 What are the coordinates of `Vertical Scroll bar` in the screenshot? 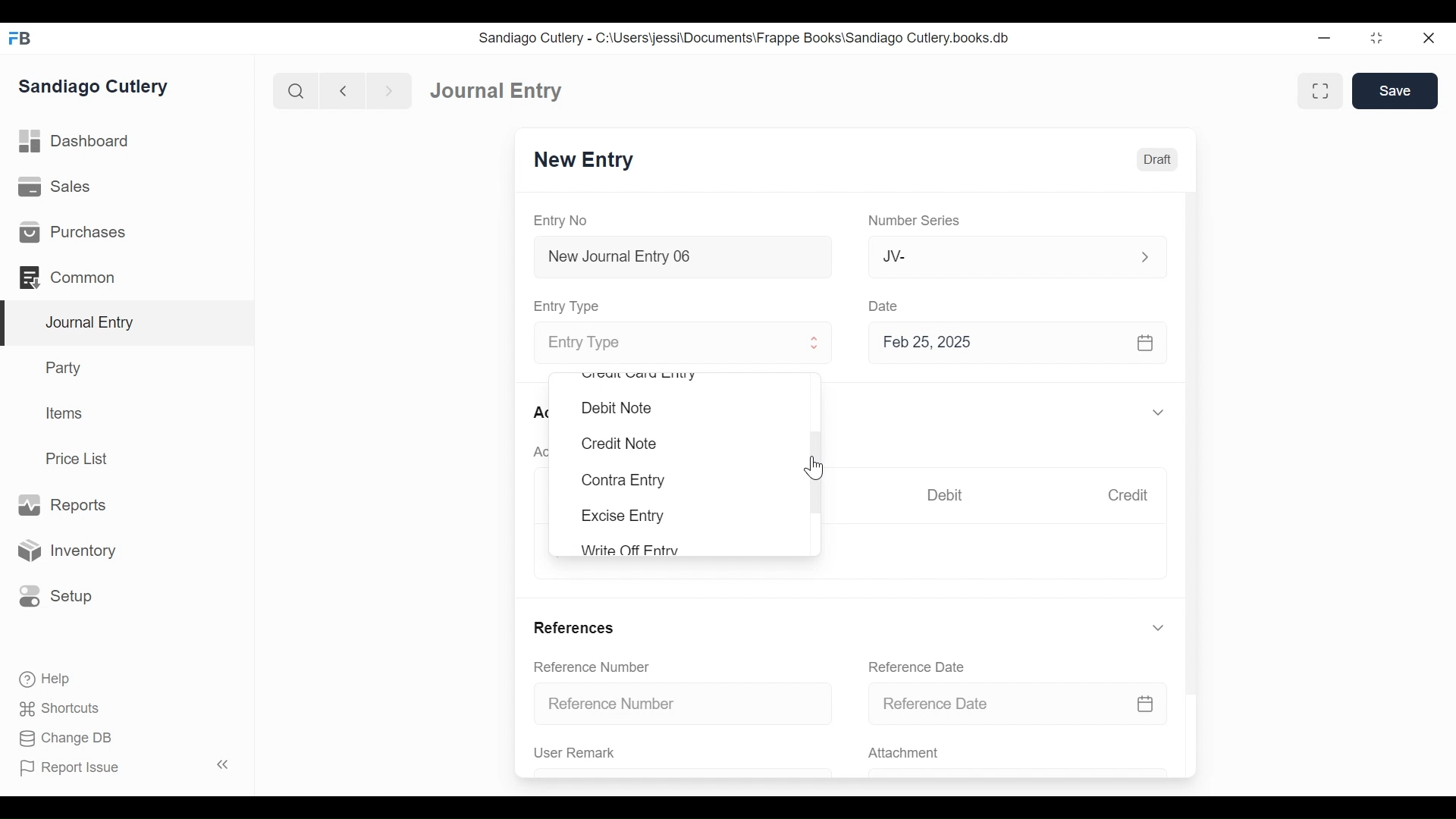 It's located at (1193, 431).